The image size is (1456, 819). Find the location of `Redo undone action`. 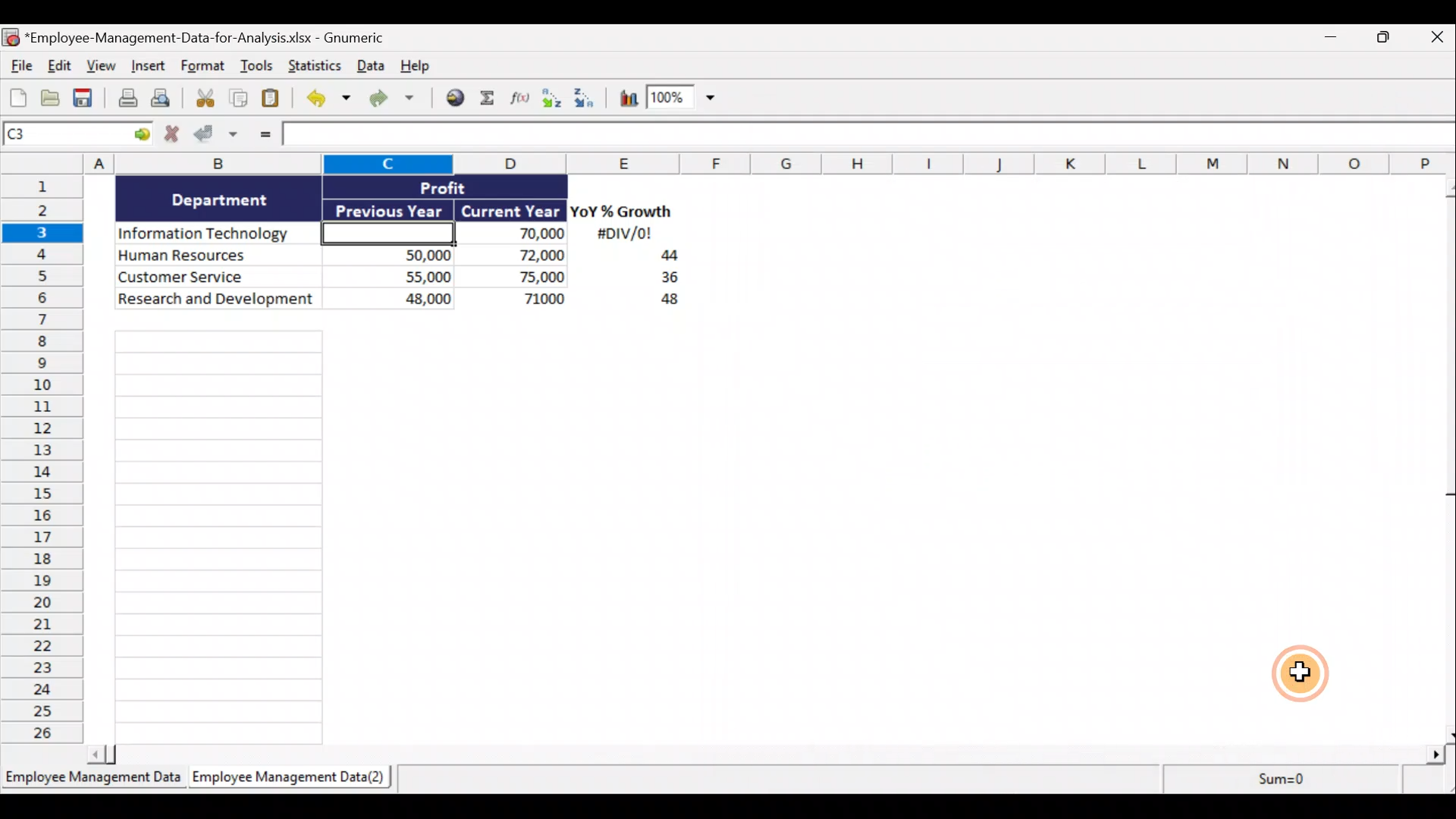

Redo undone action is located at coordinates (398, 99).